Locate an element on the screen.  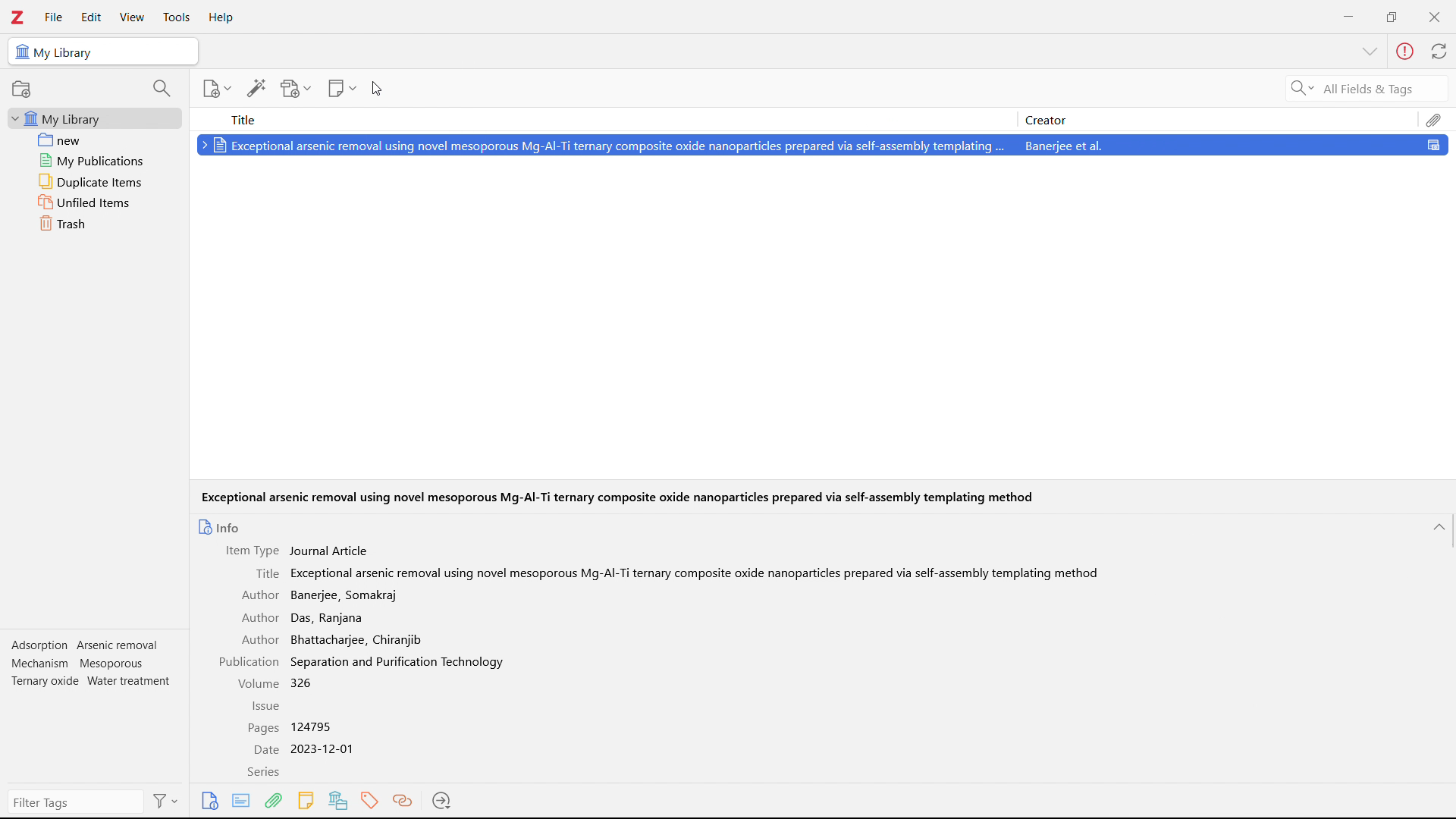
Series is located at coordinates (263, 773).